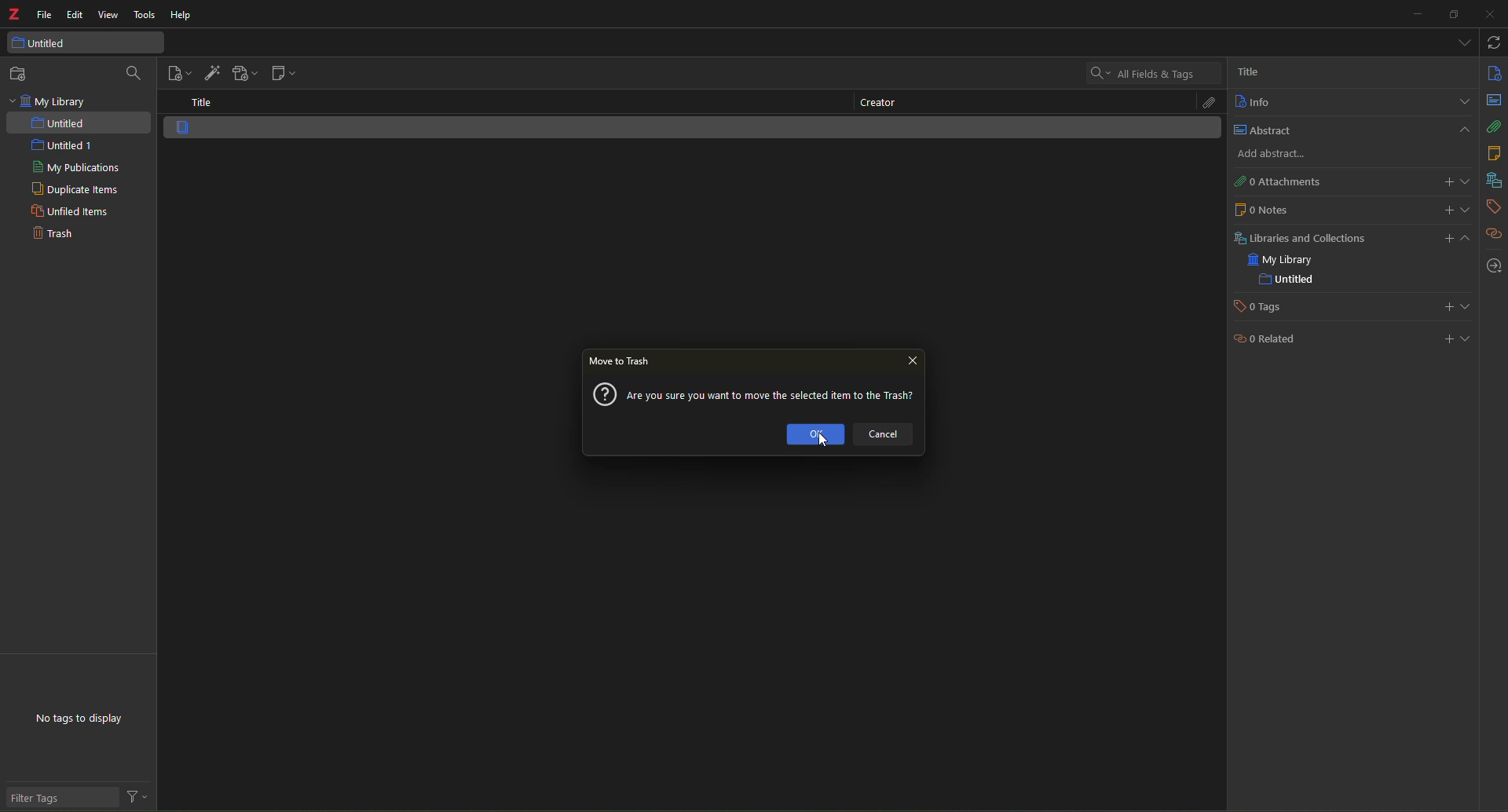 The width and height of the screenshot is (1508, 812). I want to click on duplicate items, so click(74, 190).